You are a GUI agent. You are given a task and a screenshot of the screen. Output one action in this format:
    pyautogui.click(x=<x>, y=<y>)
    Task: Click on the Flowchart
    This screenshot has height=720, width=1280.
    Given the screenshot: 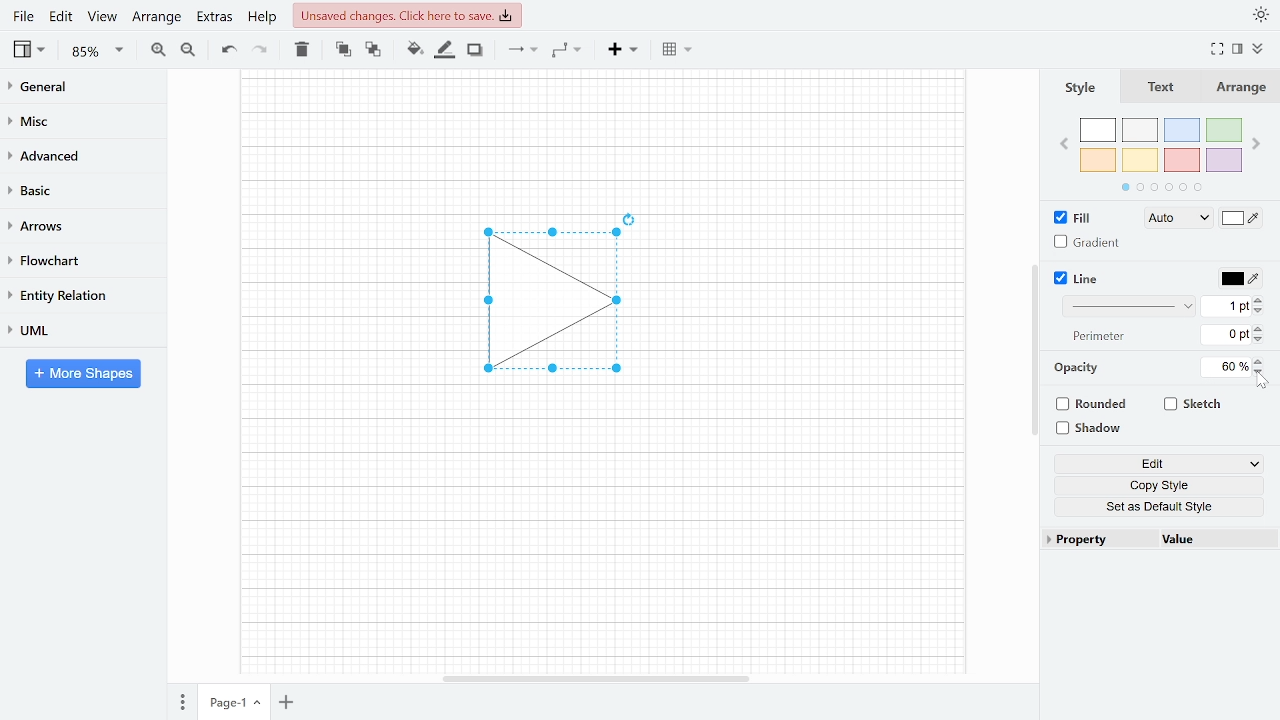 What is the action you would take?
    pyautogui.click(x=75, y=261)
    